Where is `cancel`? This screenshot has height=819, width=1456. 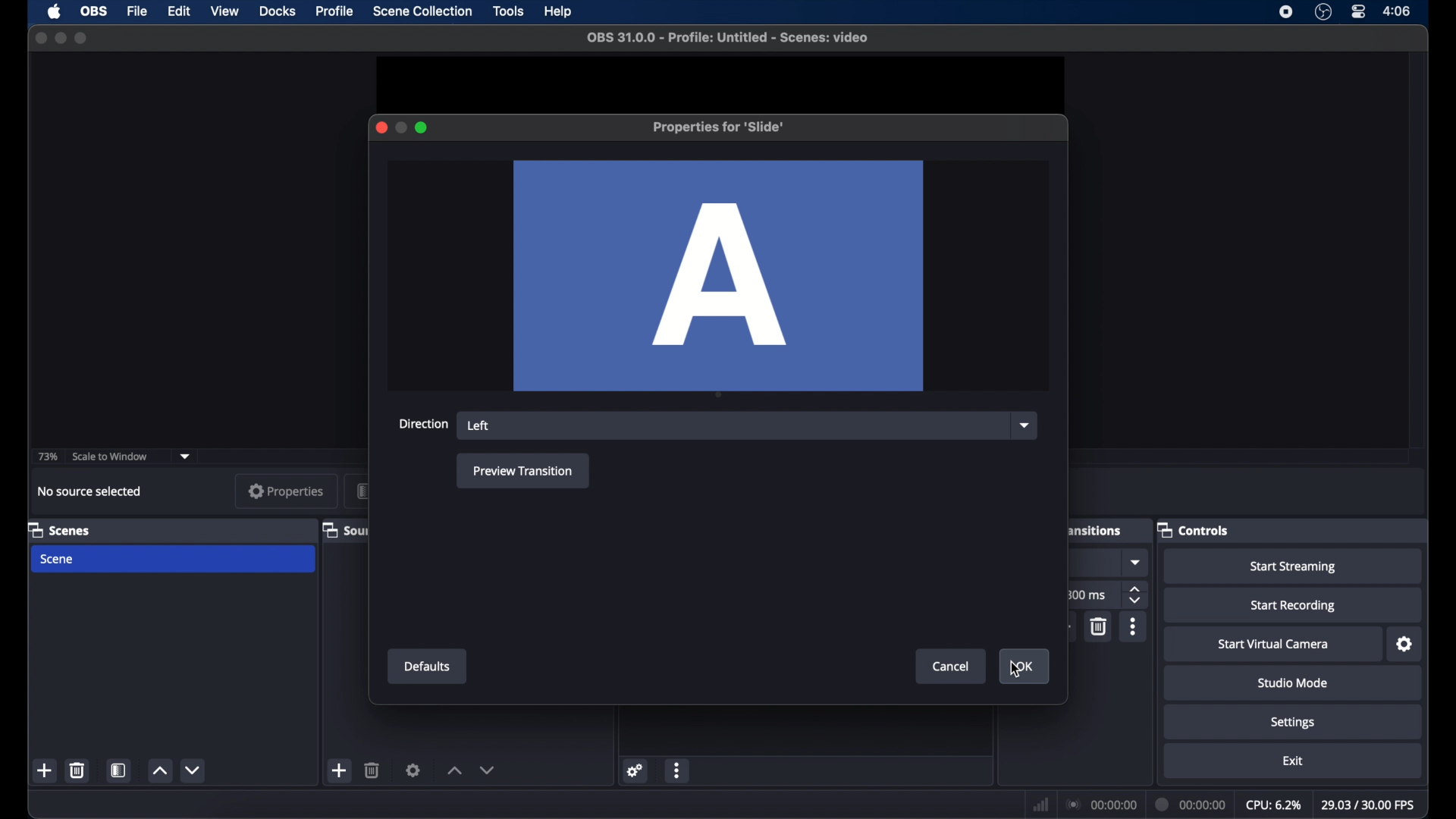
cancel is located at coordinates (952, 667).